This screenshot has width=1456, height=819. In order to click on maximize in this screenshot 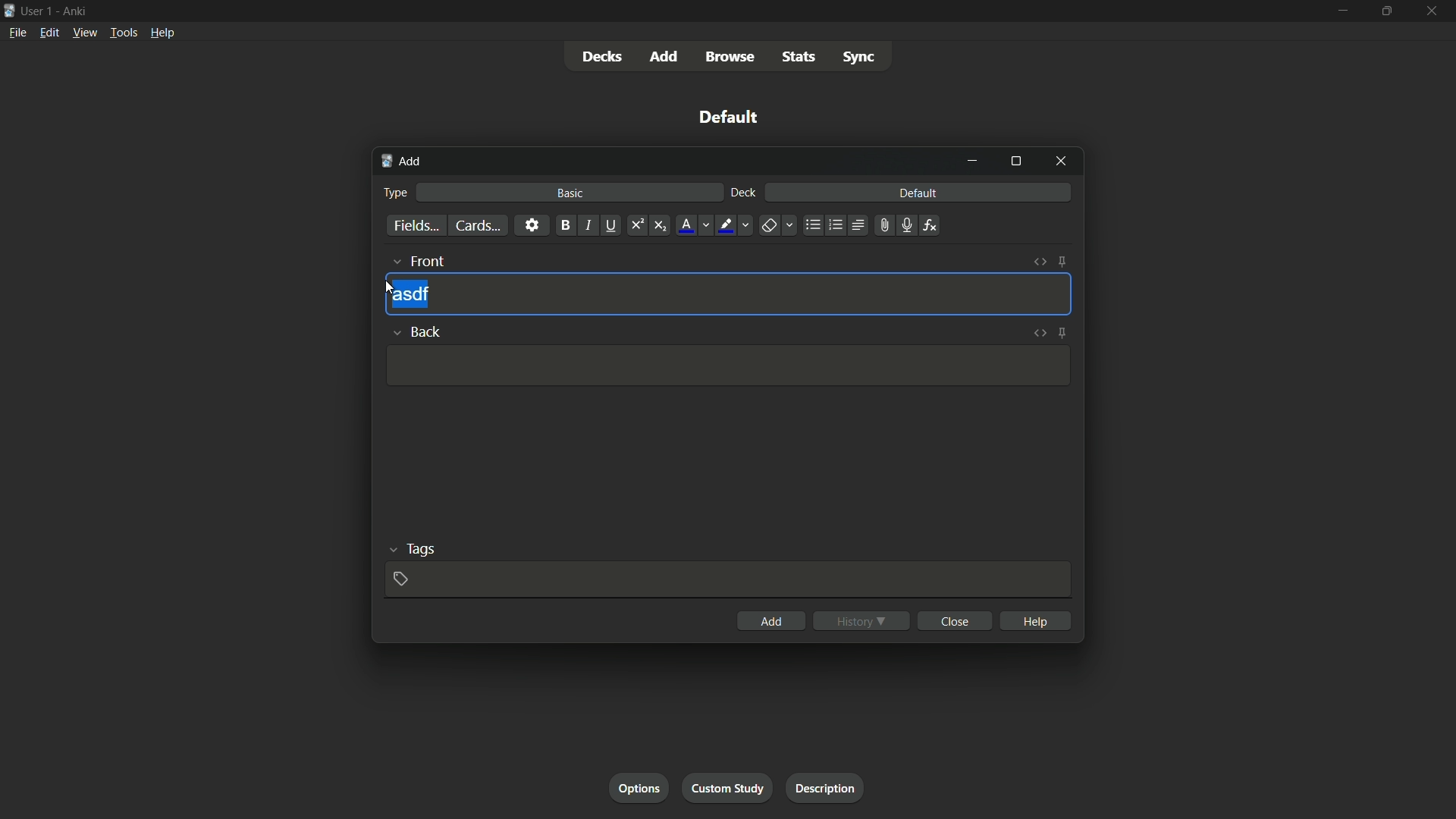, I will do `click(1015, 162)`.